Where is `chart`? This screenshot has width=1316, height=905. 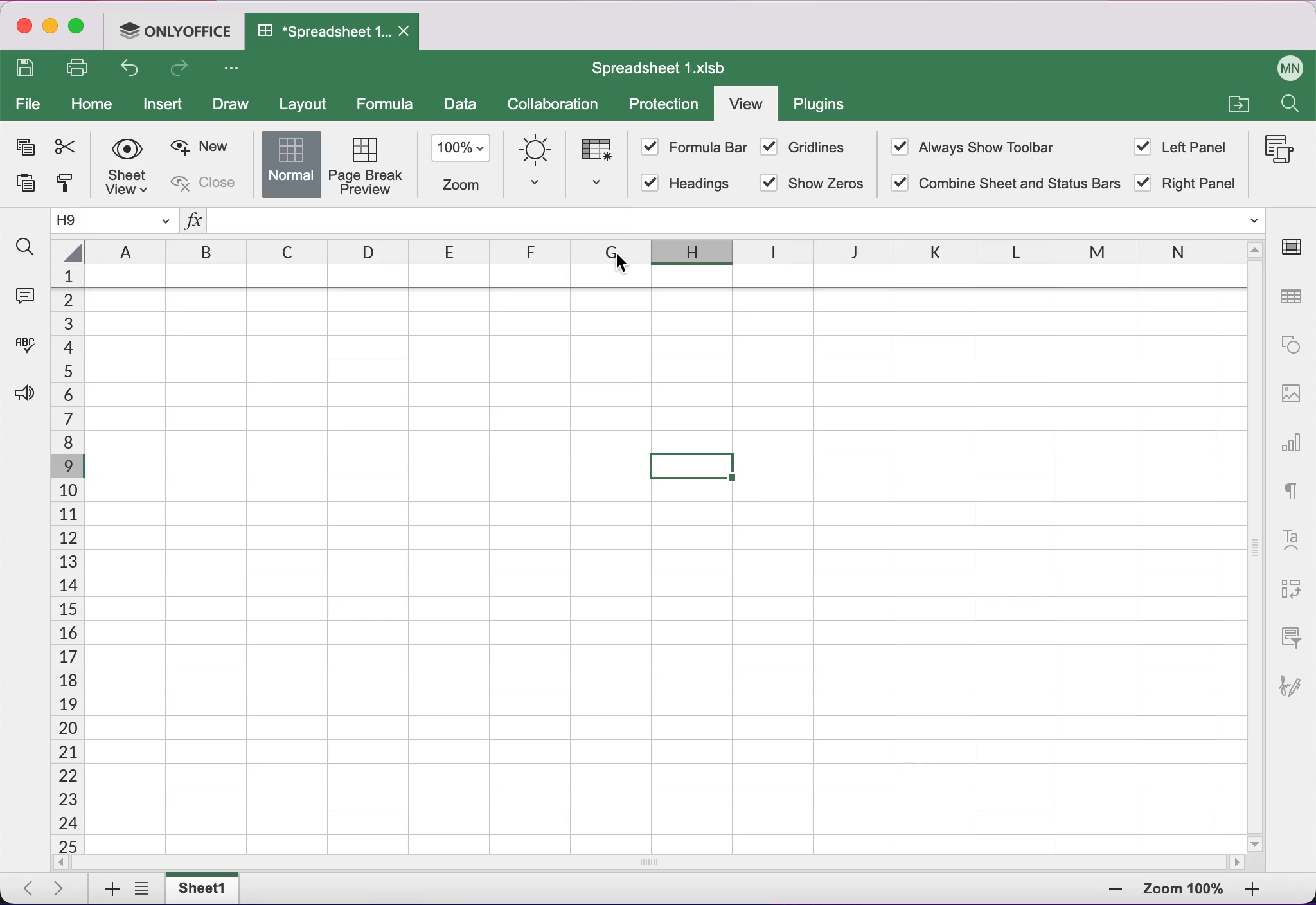
chart is located at coordinates (1292, 447).